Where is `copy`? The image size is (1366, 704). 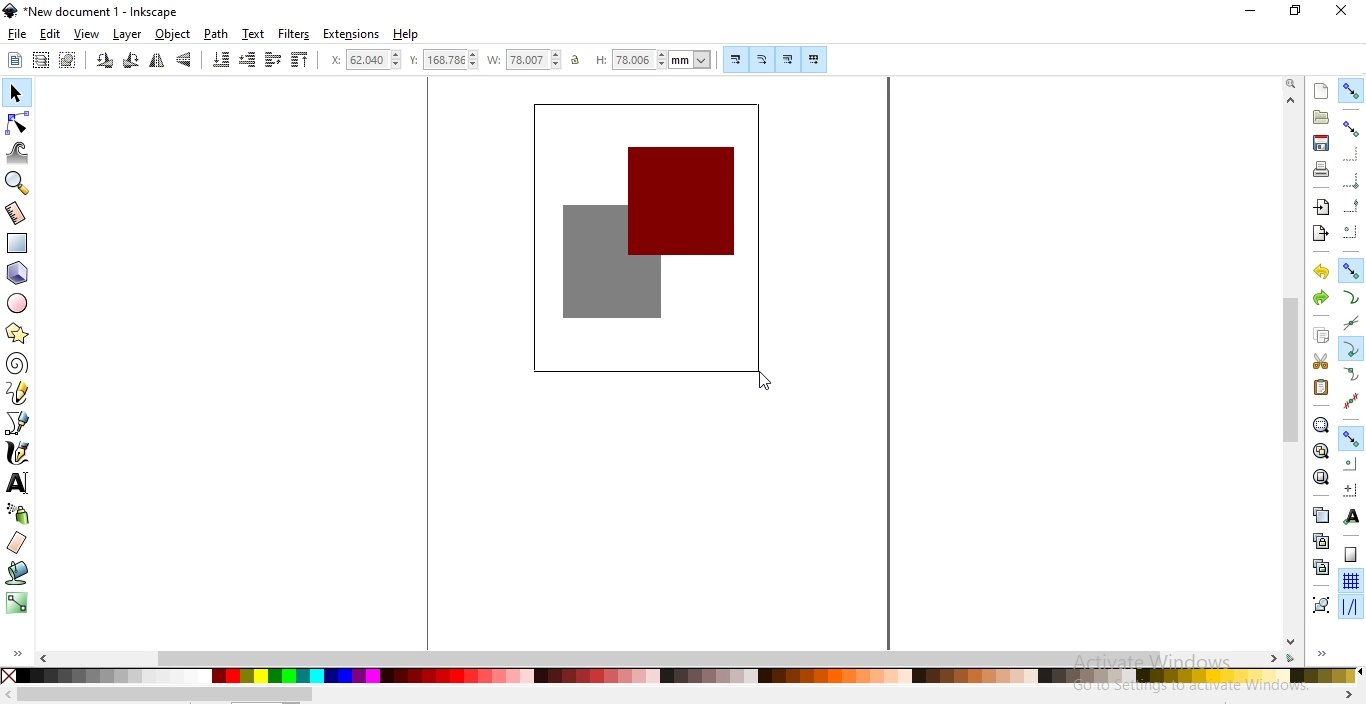
copy is located at coordinates (1321, 335).